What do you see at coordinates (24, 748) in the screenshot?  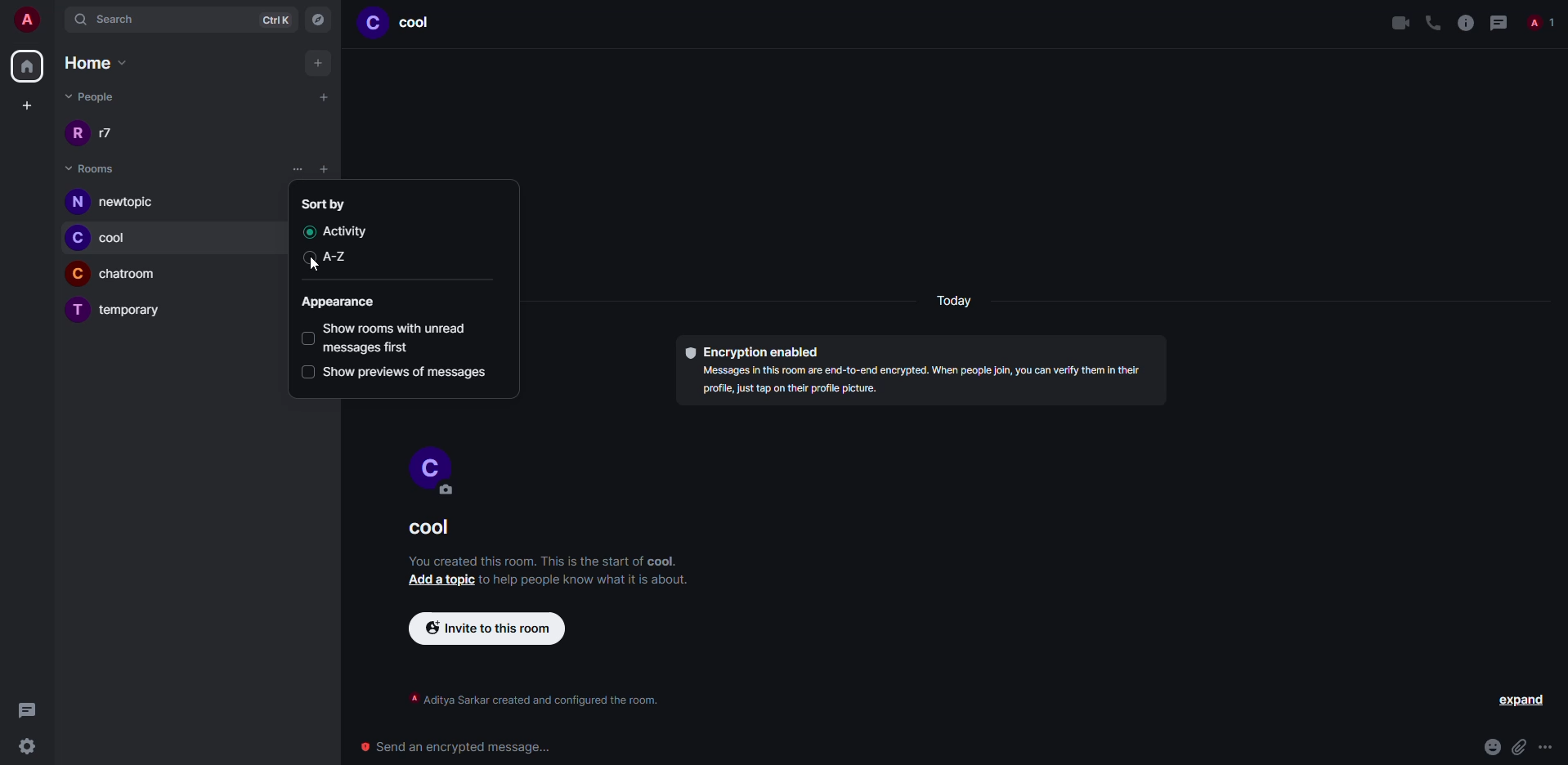 I see `settings` at bounding box center [24, 748].